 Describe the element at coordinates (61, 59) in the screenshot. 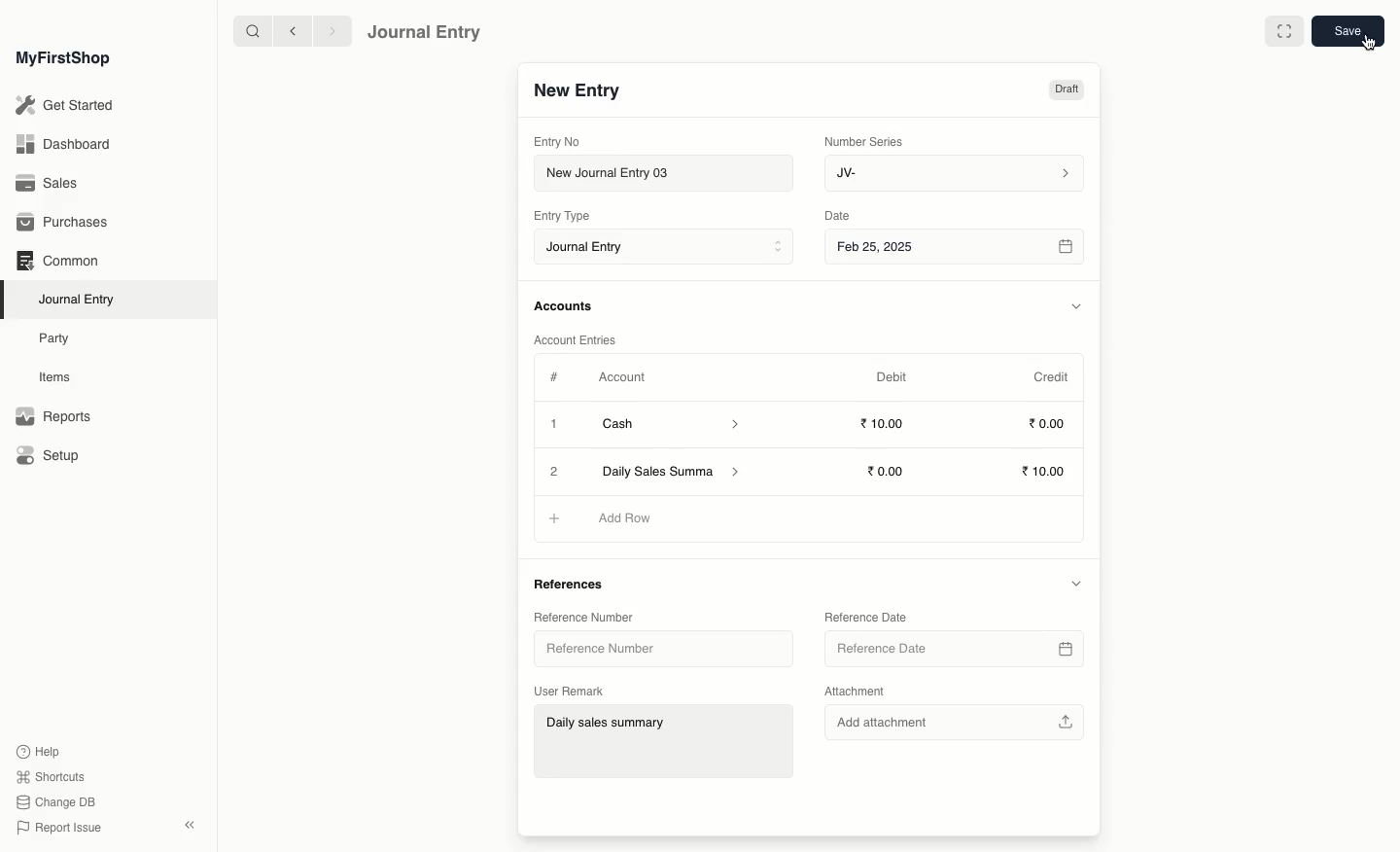

I see `MyFirstShop` at that location.